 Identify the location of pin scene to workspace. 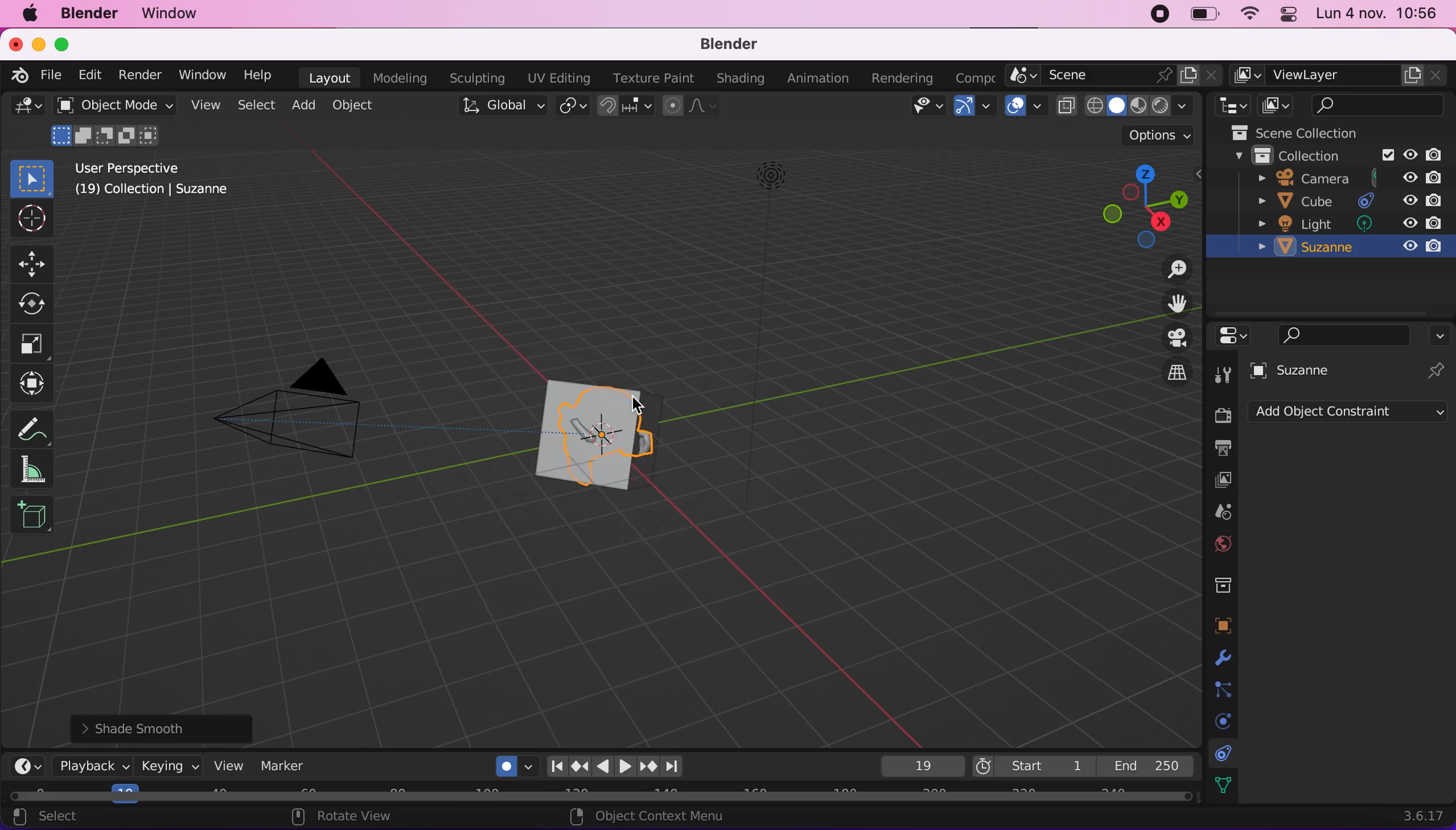
(1165, 78).